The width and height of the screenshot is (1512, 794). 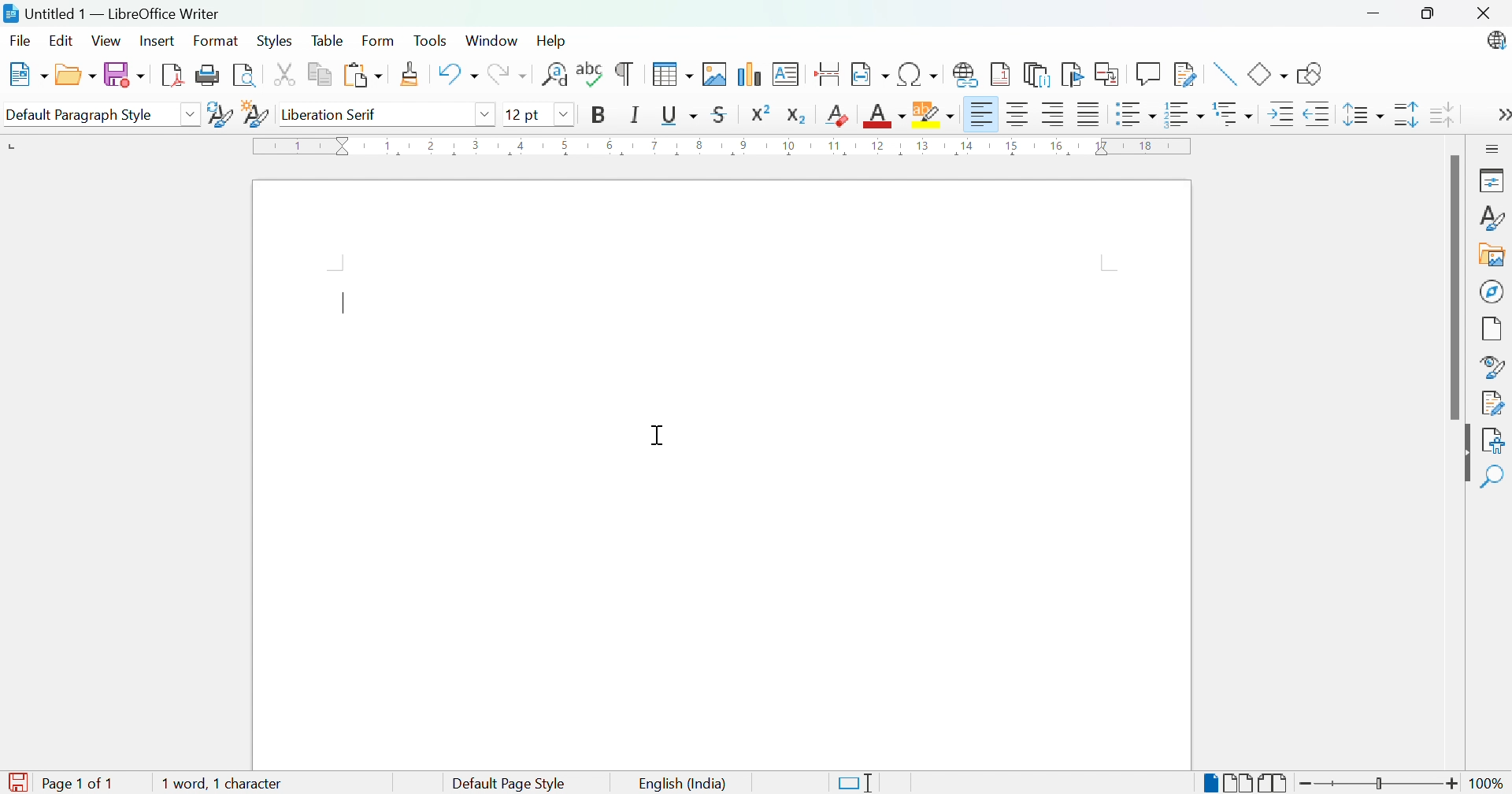 What do you see at coordinates (1492, 331) in the screenshot?
I see `Page` at bounding box center [1492, 331].